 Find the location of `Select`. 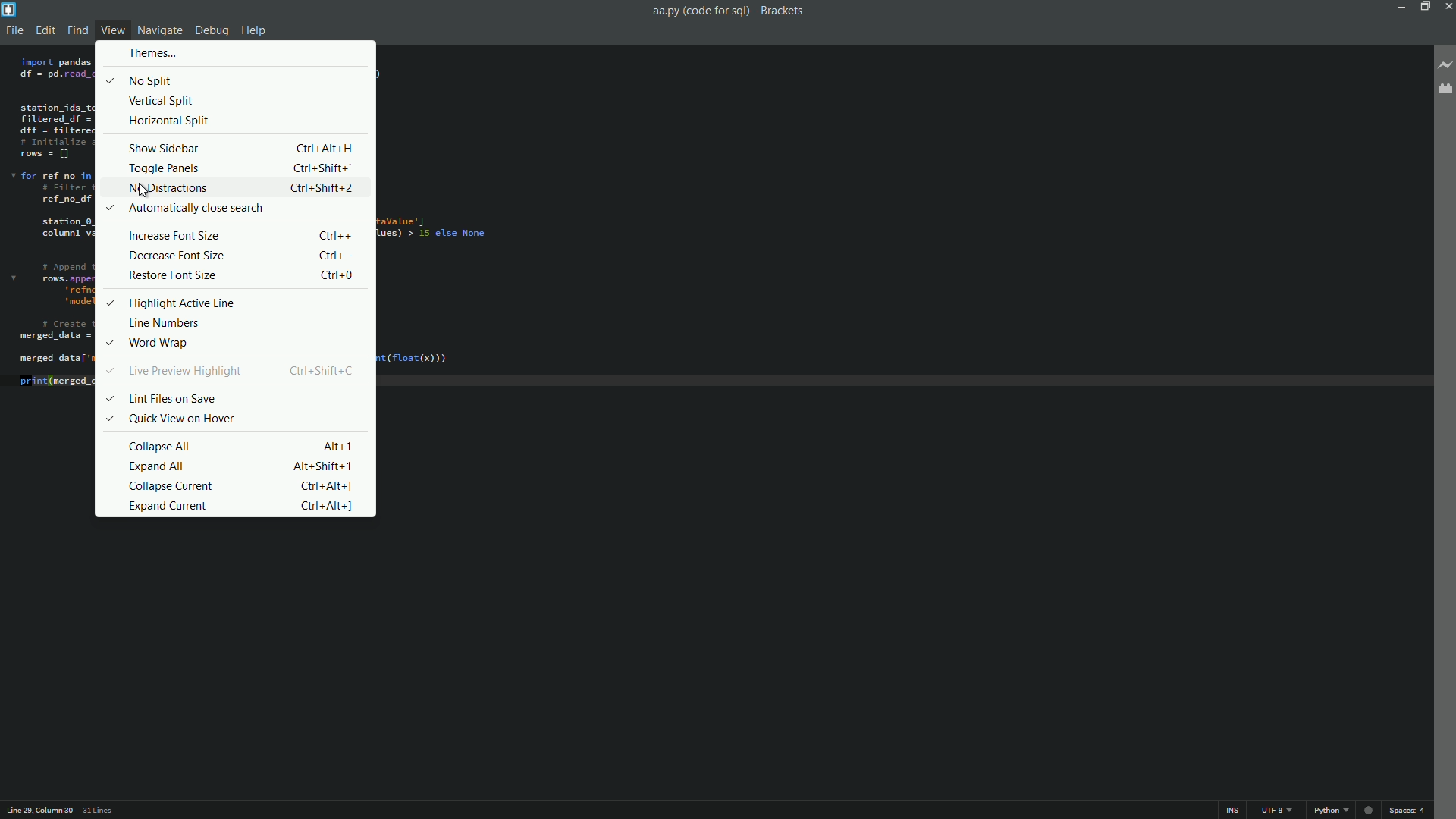

Select is located at coordinates (109, 368).